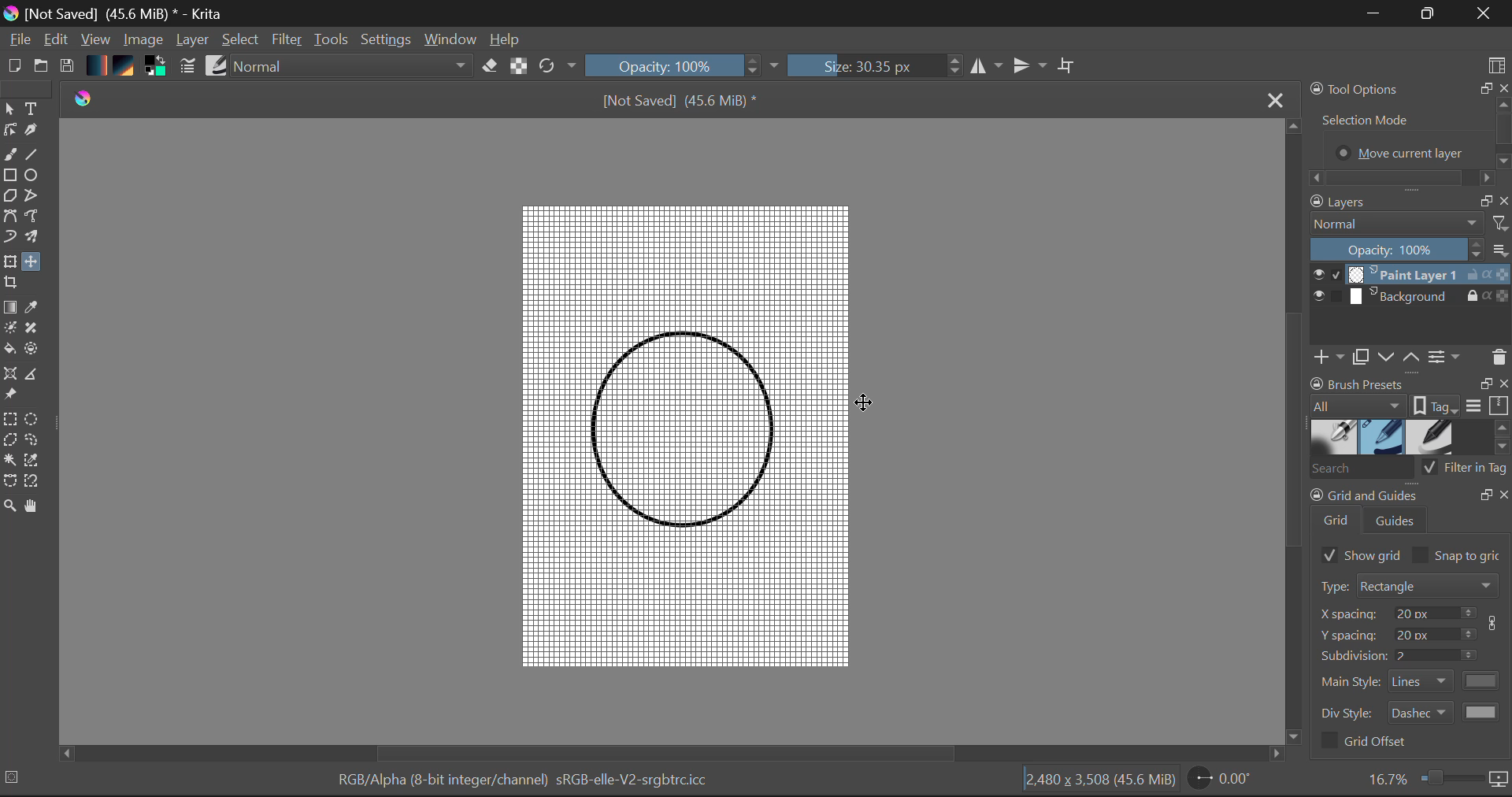 This screenshot has width=1512, height=797. I want to click on Choose Workspace, so click(1498, 64).